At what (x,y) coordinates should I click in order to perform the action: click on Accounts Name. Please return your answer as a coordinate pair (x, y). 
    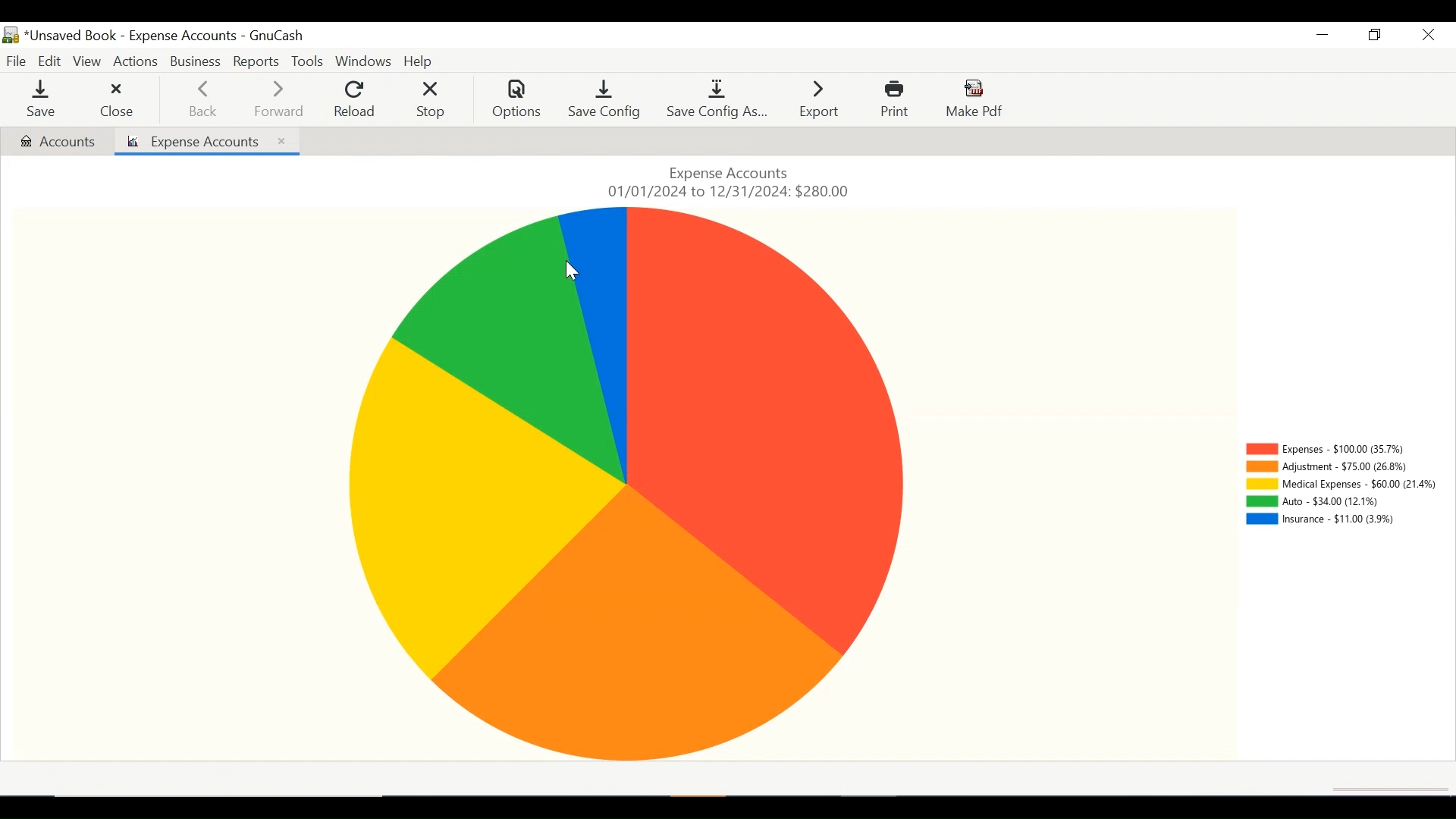
    Looking at the image, I should click on (158, 34).